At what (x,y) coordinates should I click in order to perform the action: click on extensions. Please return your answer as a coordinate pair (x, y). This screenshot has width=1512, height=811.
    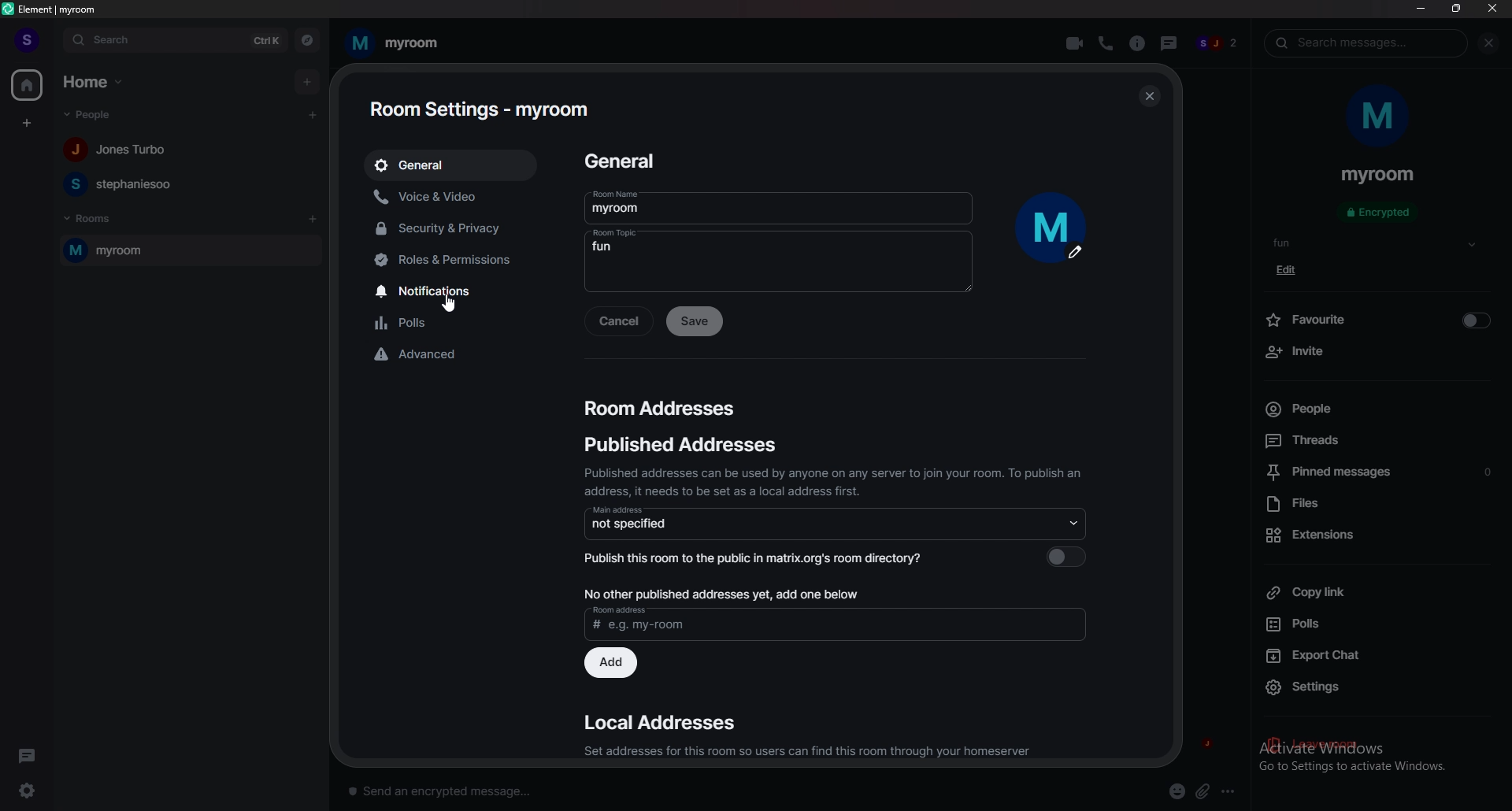
    Looking at the image, I should click on (1375, 535).